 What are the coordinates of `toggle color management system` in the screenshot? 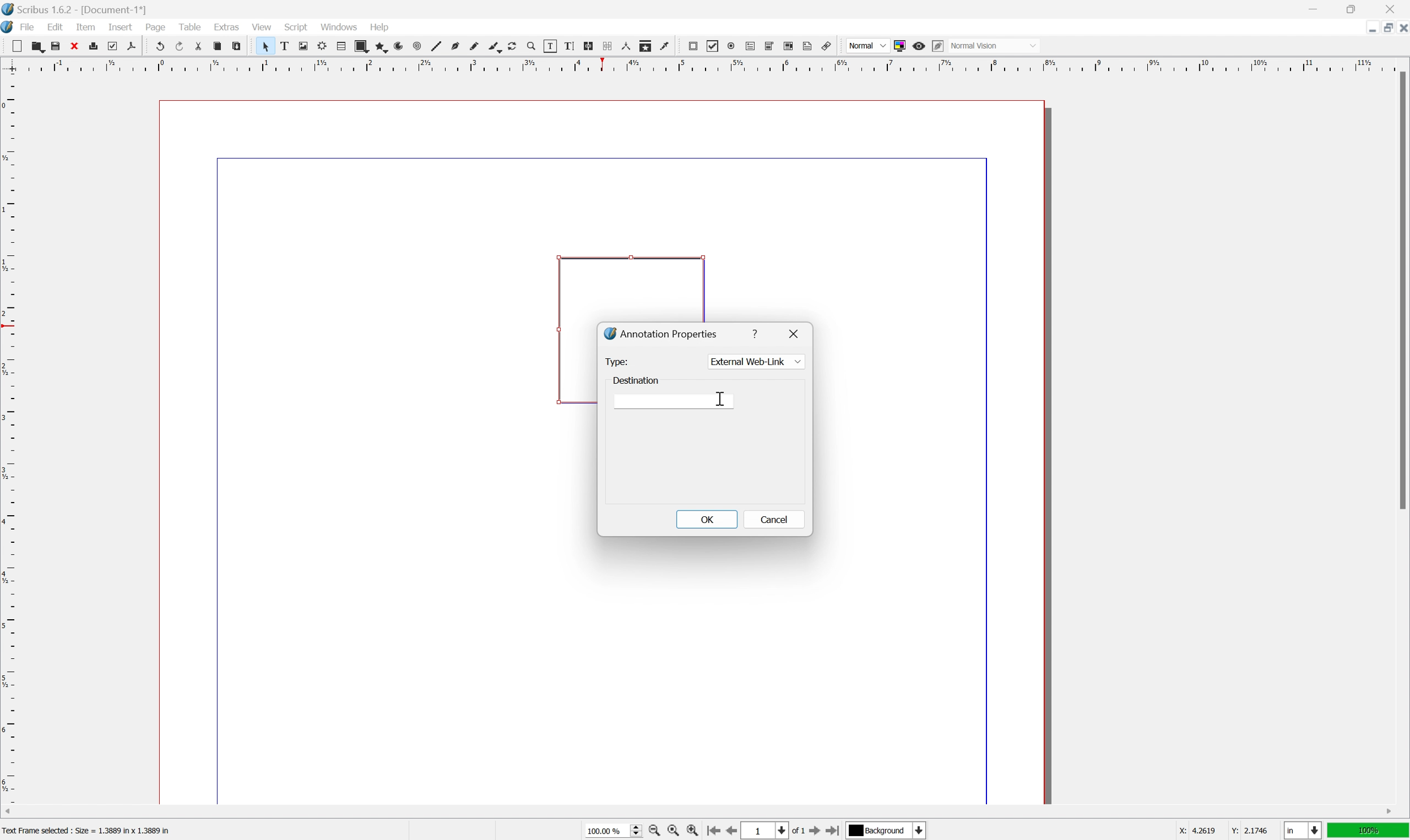 It's located at (900, 46).